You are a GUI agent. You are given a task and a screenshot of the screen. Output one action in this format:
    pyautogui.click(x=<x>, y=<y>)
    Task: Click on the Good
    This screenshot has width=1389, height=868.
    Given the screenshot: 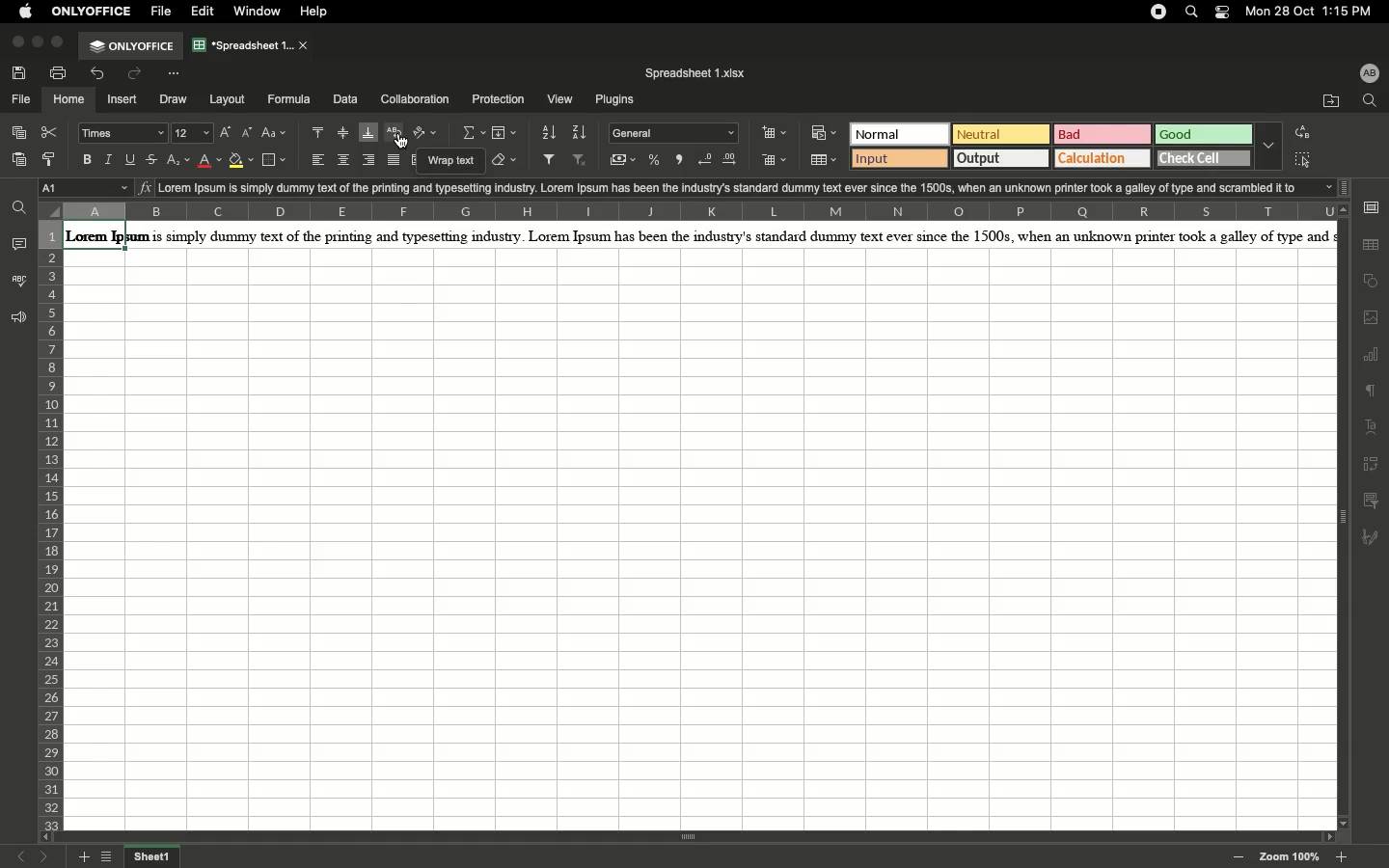 What is the action you would take?
    pyautogui.click(x=1206, y=135)
    